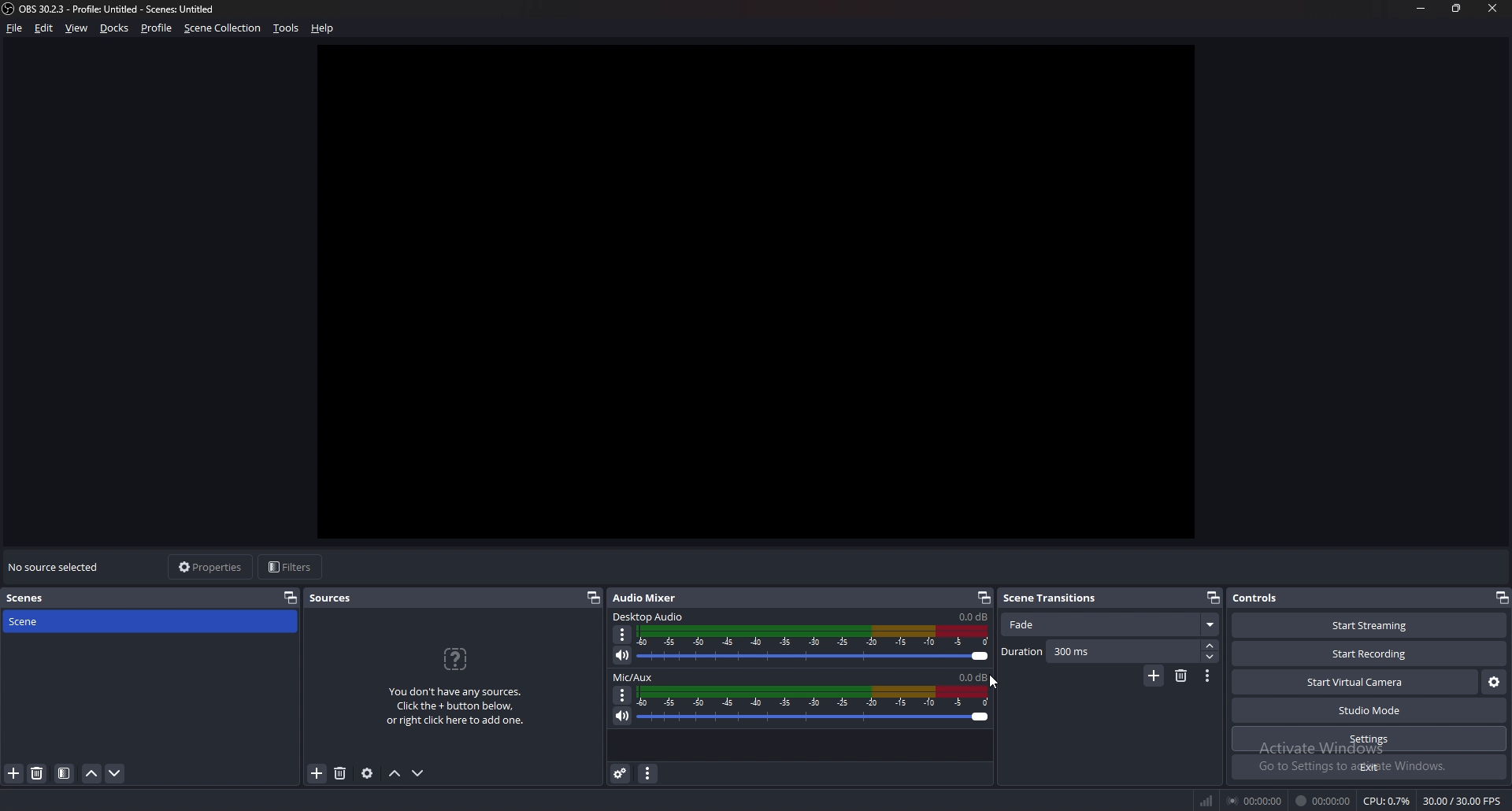  Describe the element at coordinates (1208, 676) in the screenshot. I see `transition properties` at that location.